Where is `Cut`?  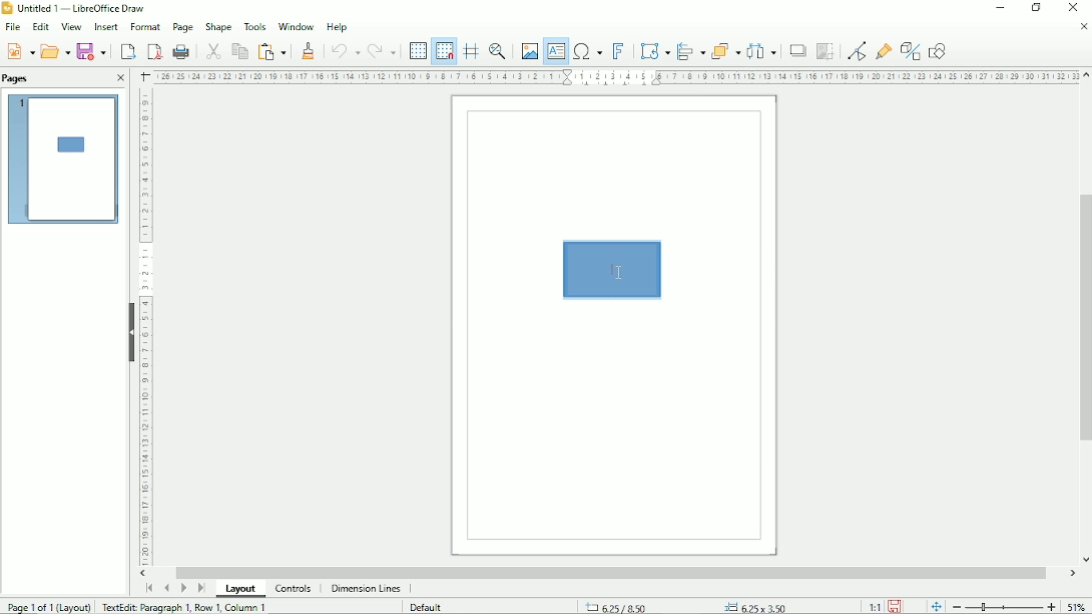 Cut is located at coordinates (212, 50).